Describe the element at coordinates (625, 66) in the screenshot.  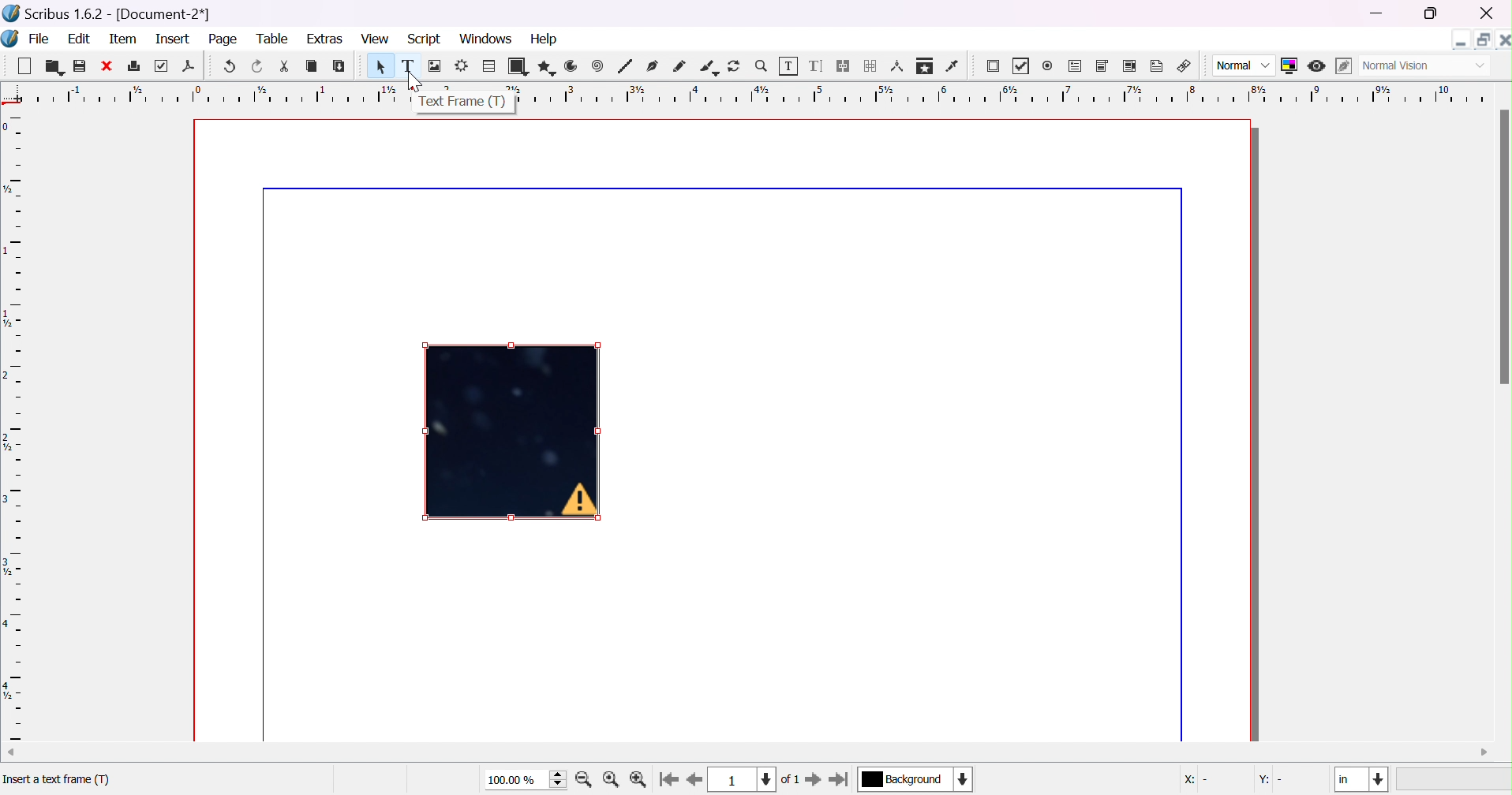
I see `line` at that location.